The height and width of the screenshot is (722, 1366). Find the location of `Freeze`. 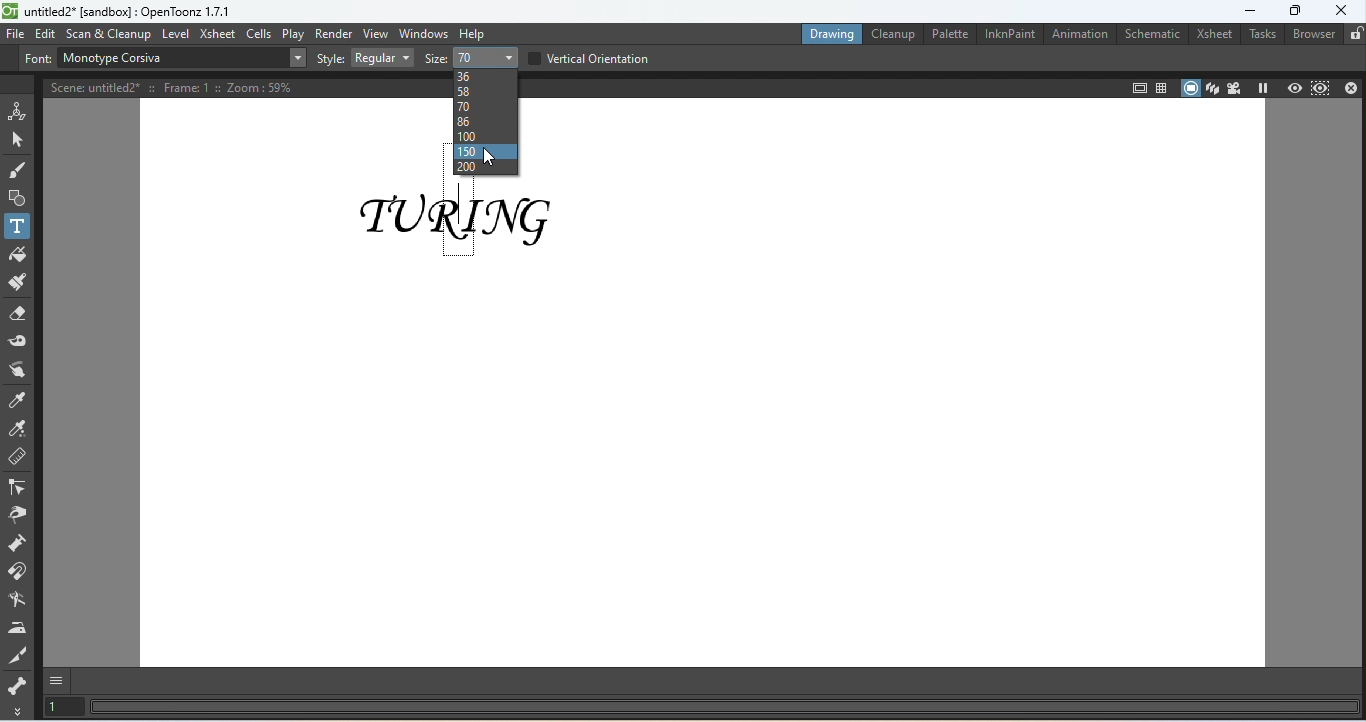

Freeze is located at coordinates (1266, 89).